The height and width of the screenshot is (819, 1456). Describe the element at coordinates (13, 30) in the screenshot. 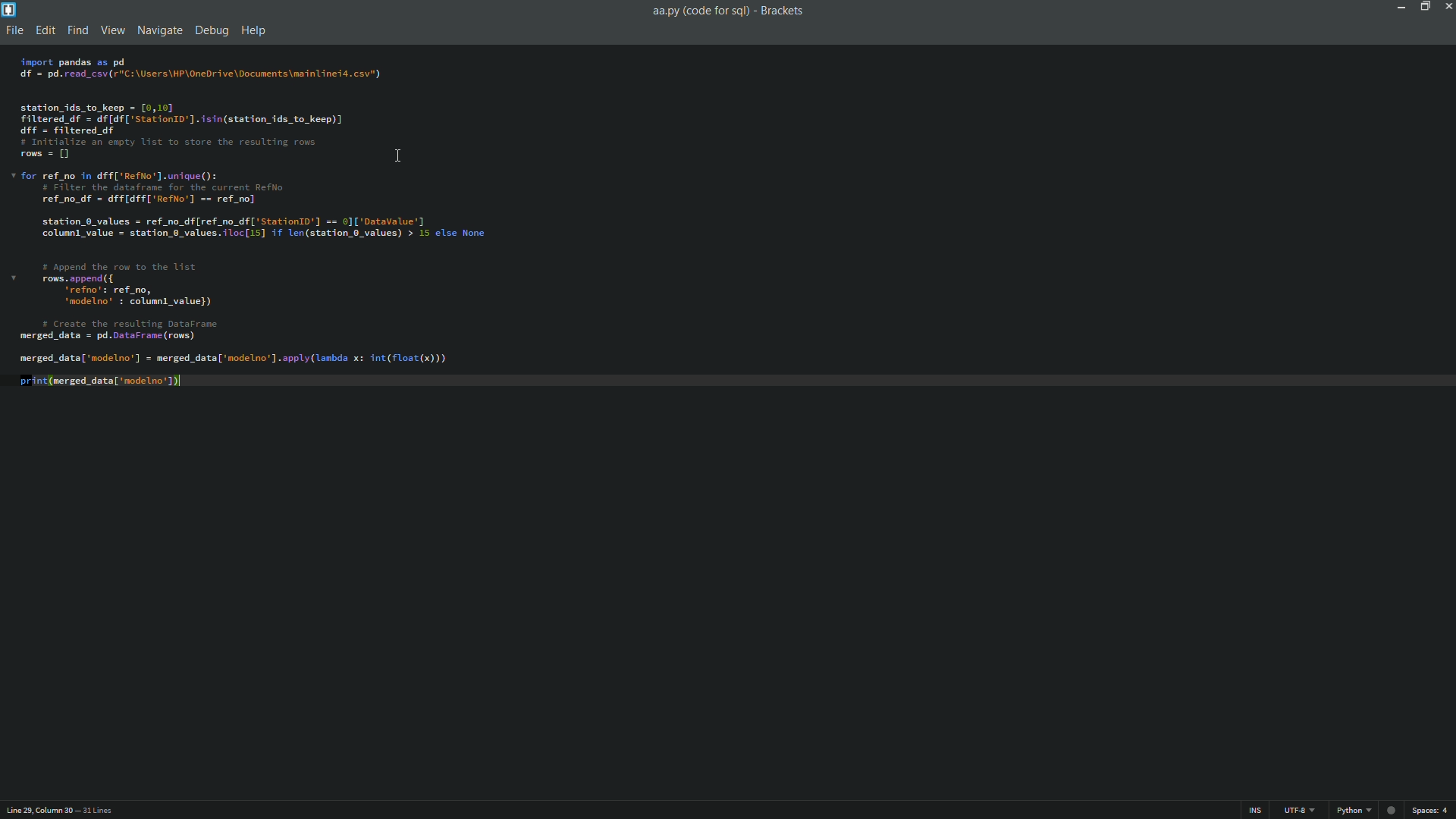

I see `file menu` at that location.